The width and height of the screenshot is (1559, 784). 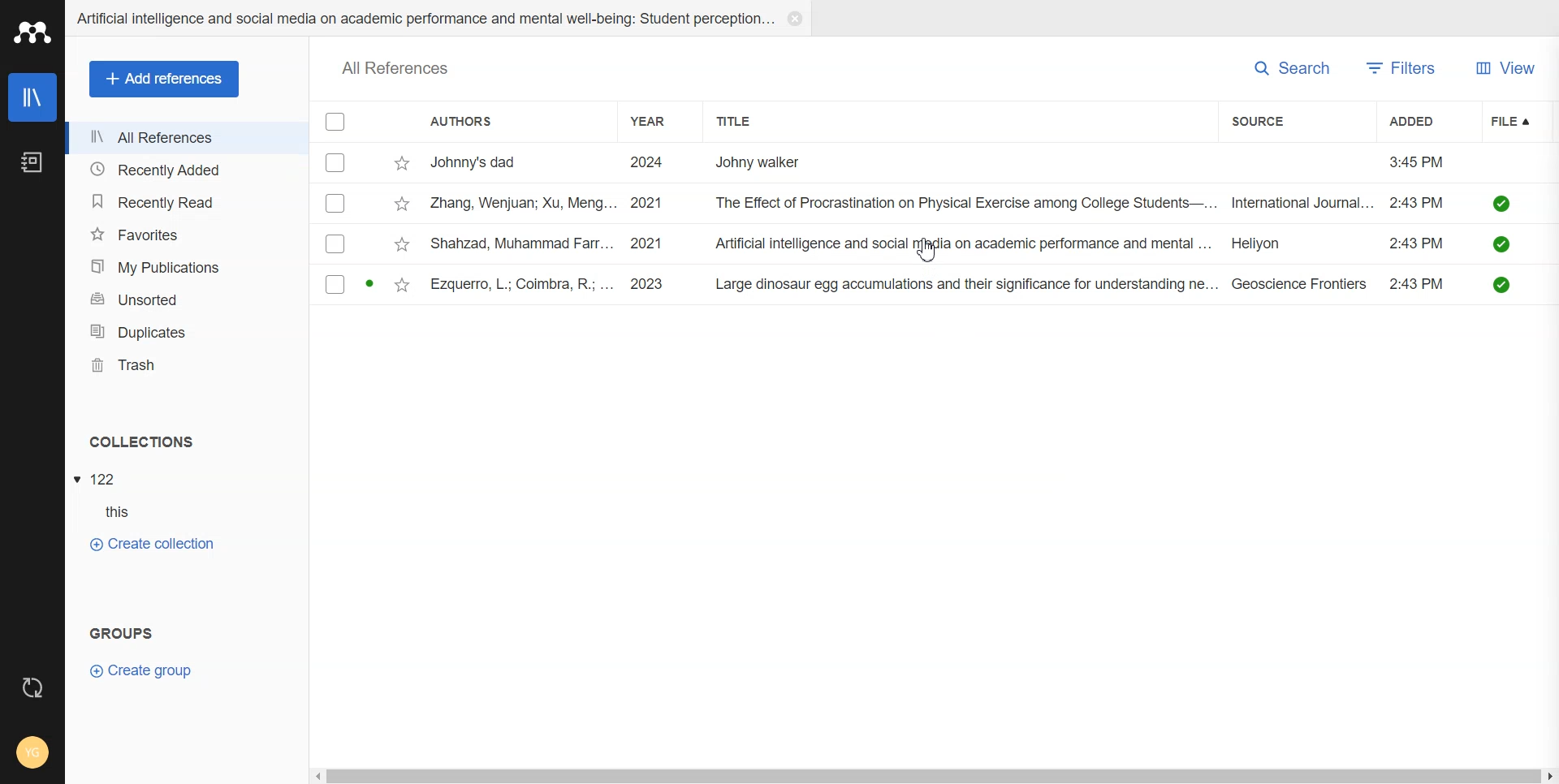 I want to click on star, so click(x=402, y=286).